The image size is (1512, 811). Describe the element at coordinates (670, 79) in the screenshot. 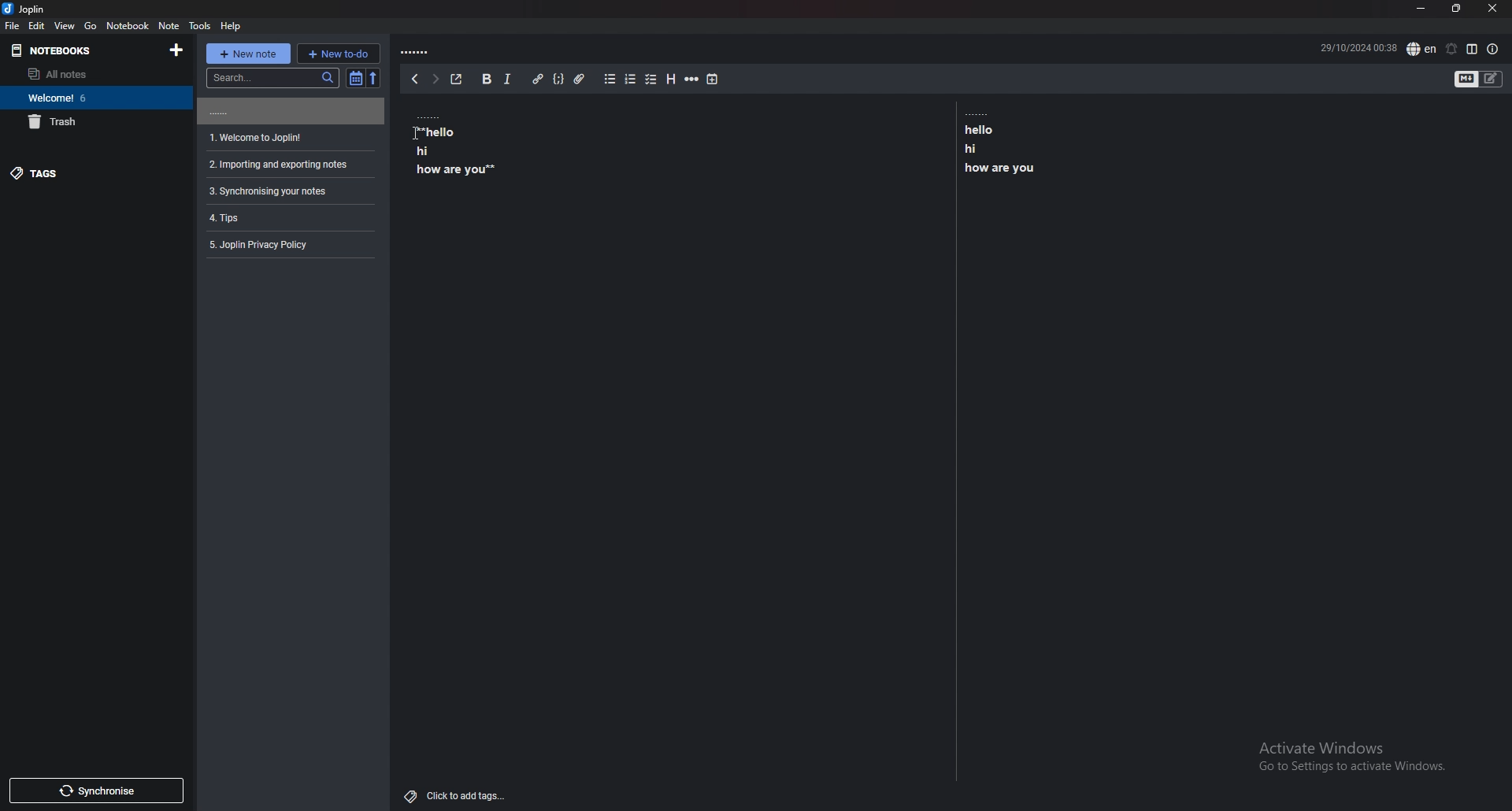

I see `heading` at that location.